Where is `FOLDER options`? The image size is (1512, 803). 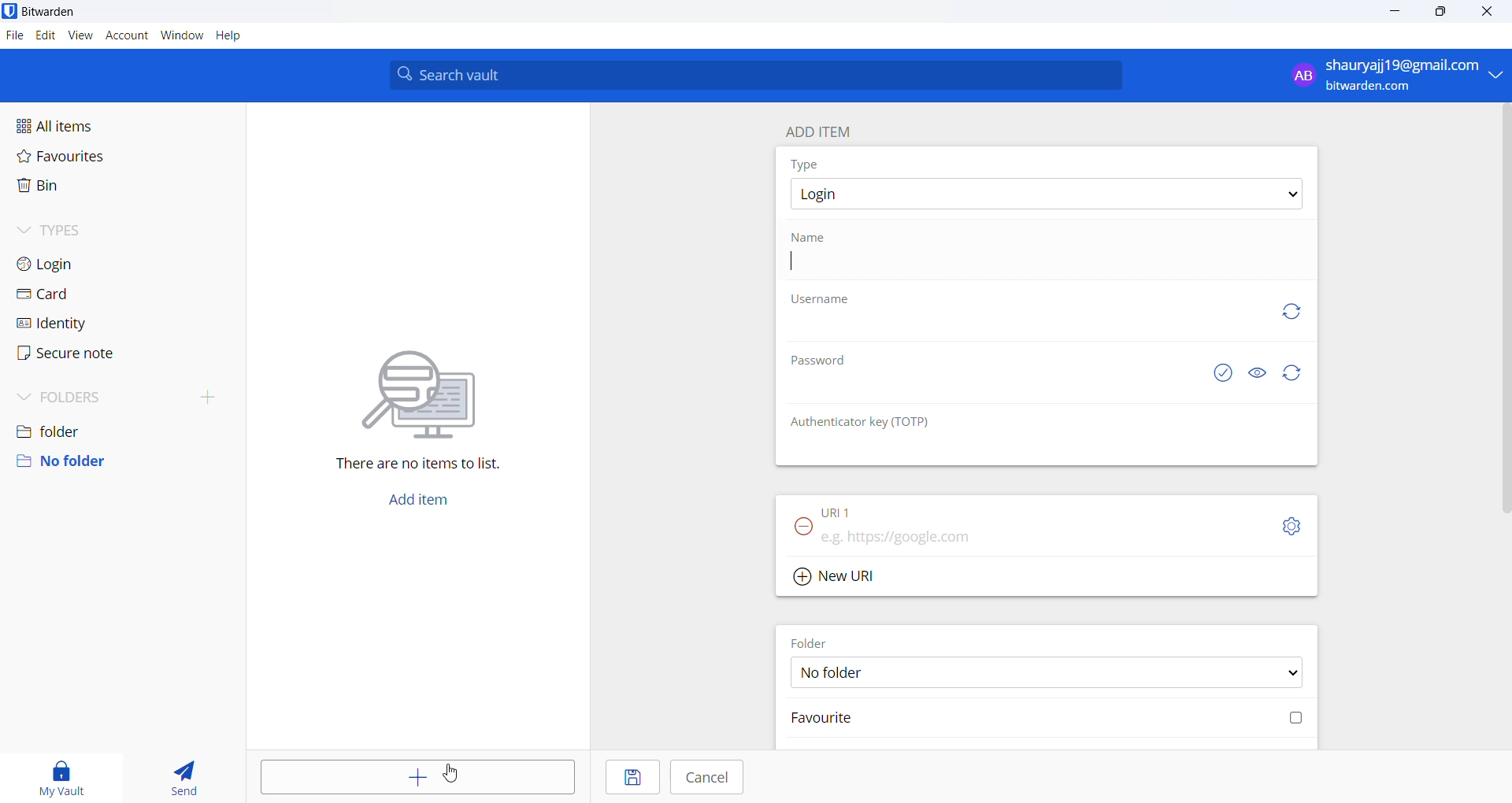 FOLDER options is located at coordinates (1048, 673).